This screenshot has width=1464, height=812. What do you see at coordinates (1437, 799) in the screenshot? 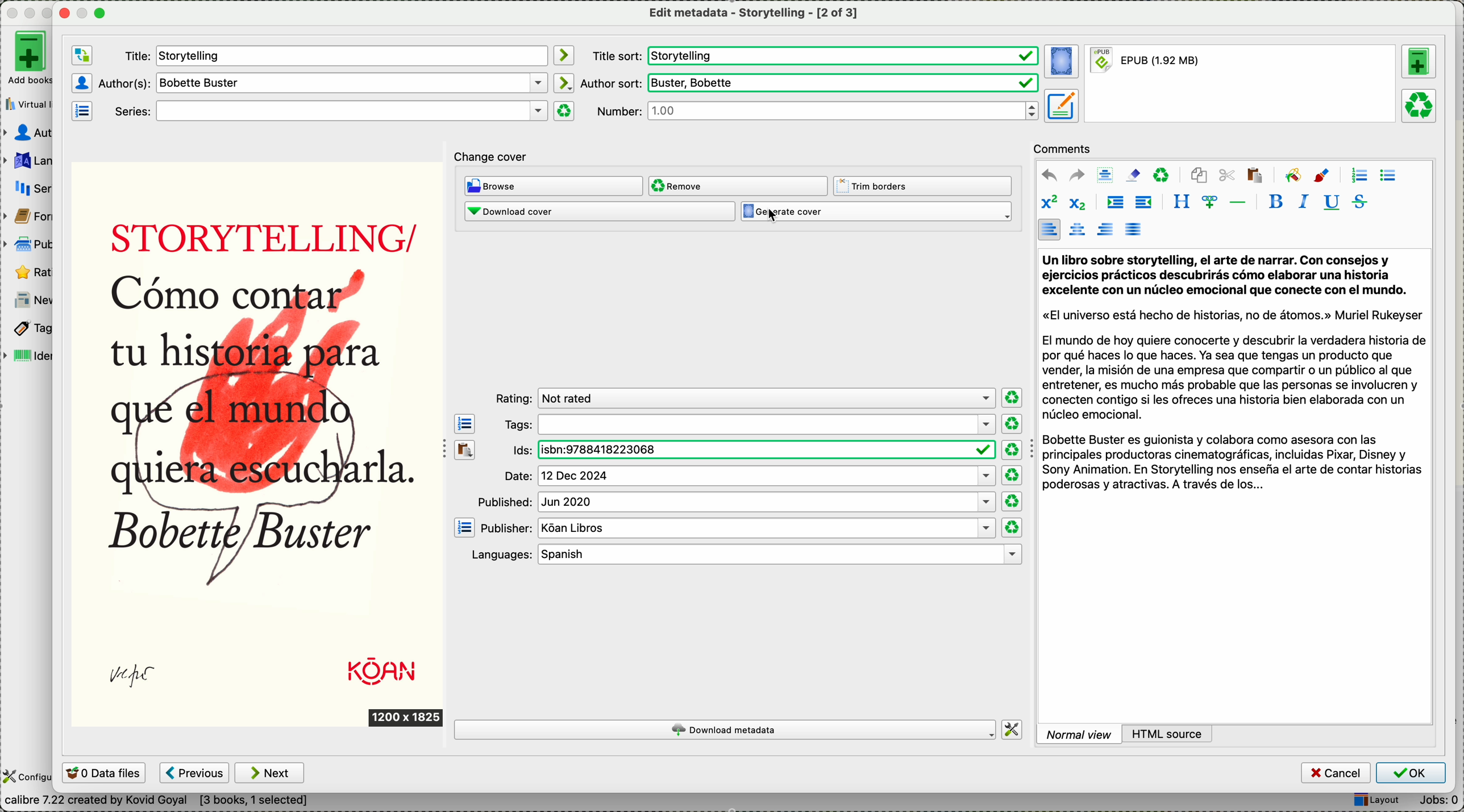
I see `jobs: 0` at bounding box center [1437, 799].